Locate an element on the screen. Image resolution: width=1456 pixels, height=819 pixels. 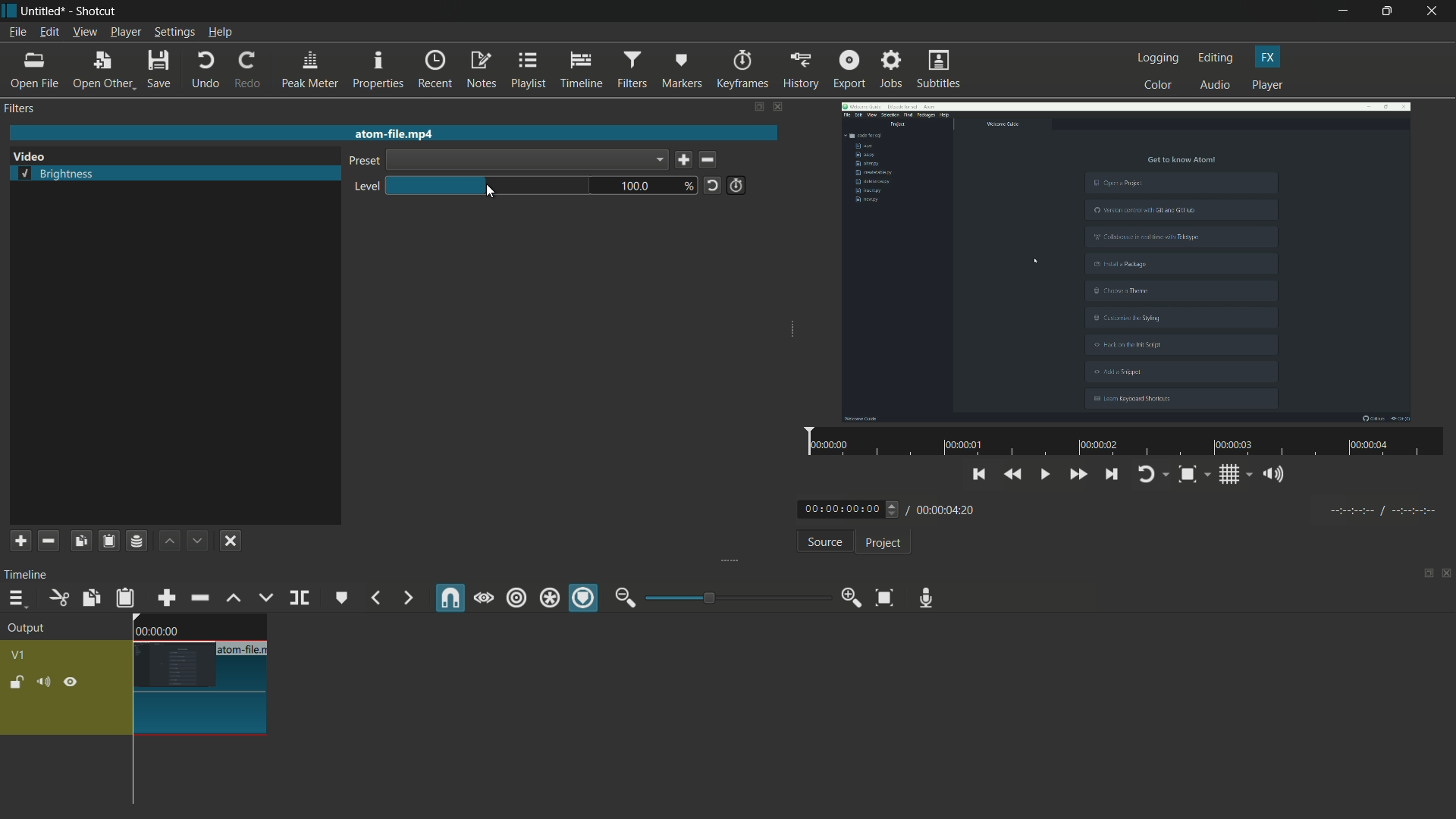
editing is located at coordinates (1216, 58).